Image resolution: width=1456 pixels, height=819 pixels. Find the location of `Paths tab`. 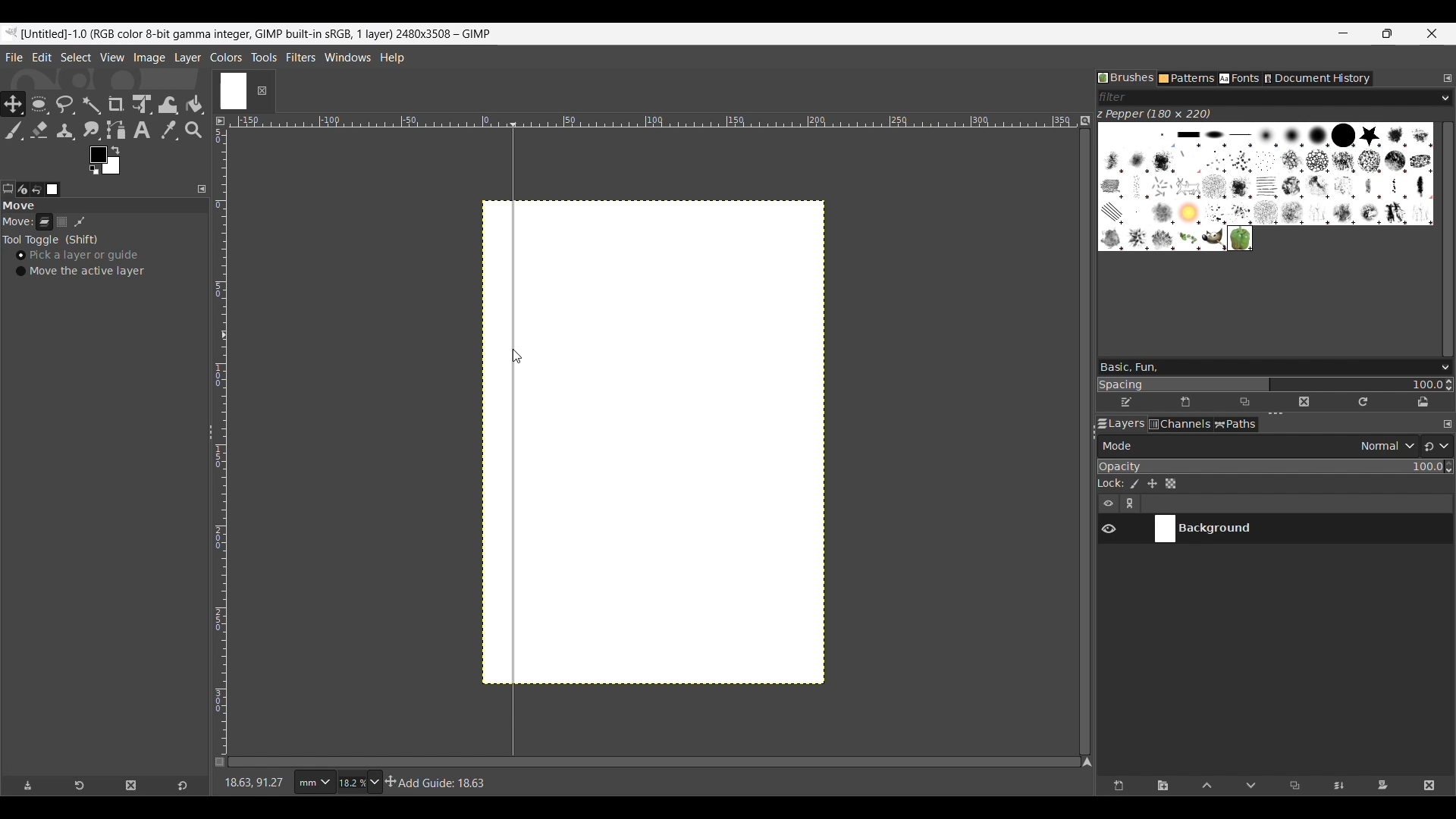

Paths tab is located at coordinates (1236, 424).